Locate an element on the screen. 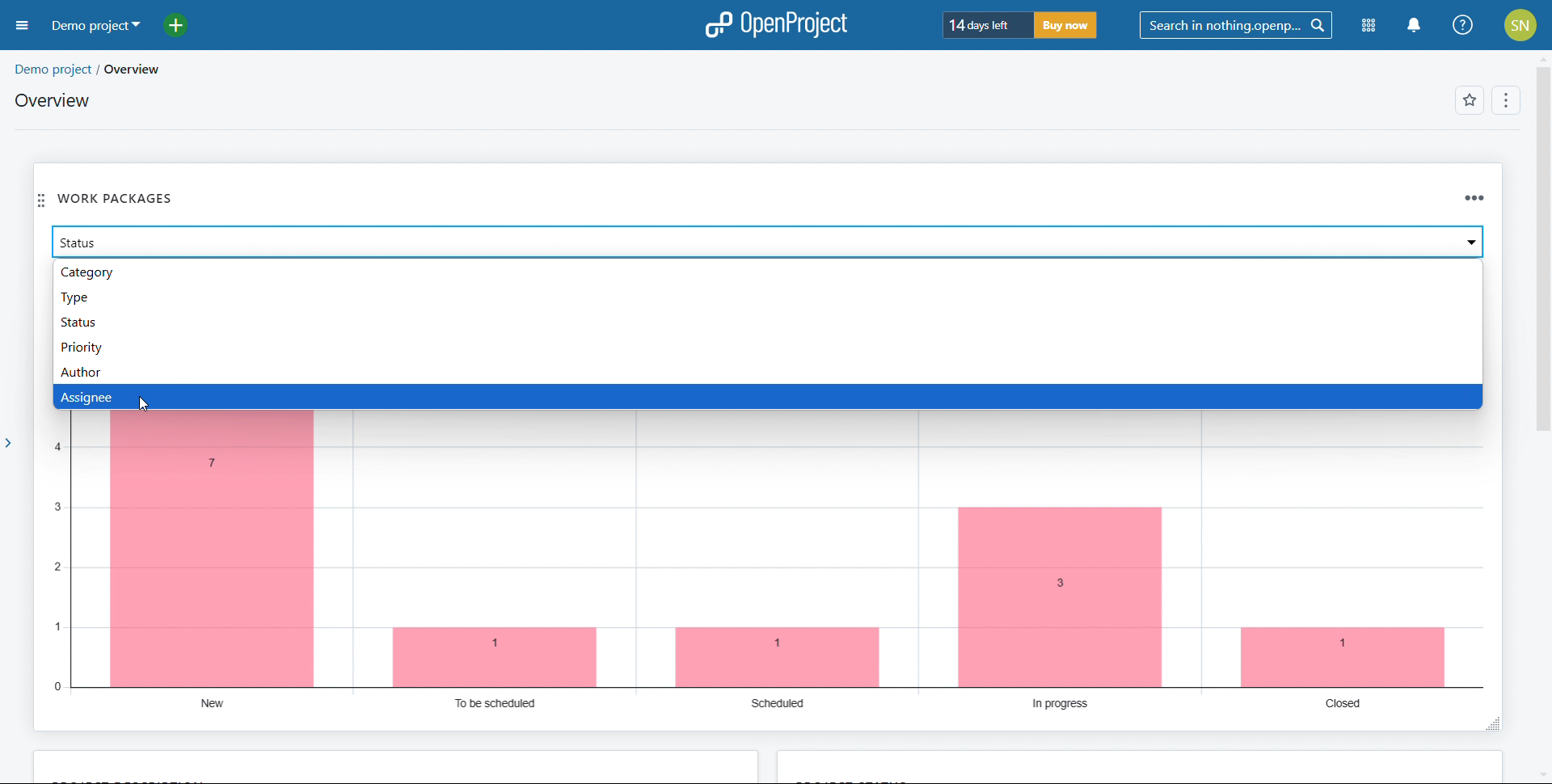  chart is located at coordinates (771, 564).